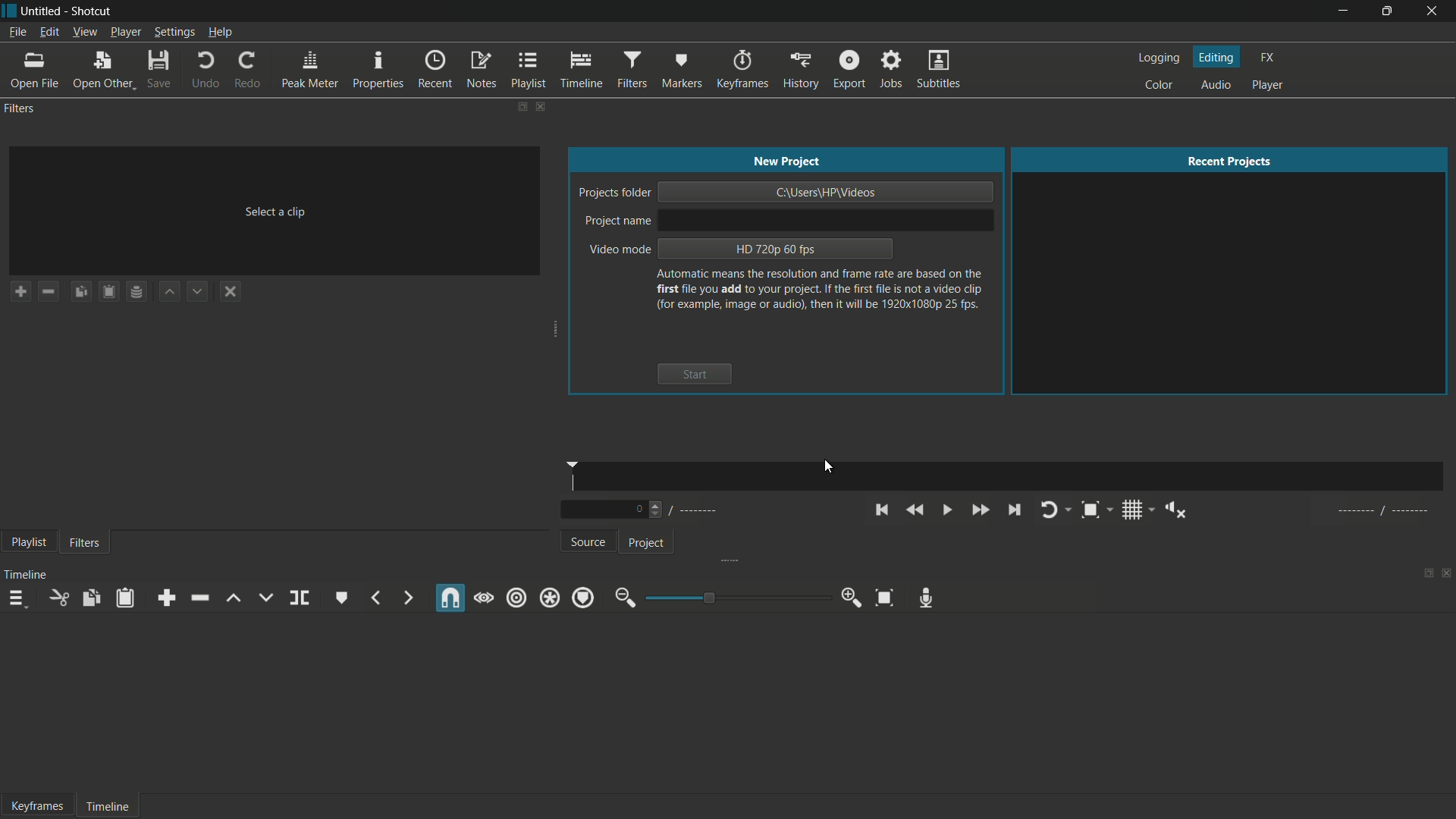 Image resolution: width=1456 pixels, height=819 pixels. Describe the element at coordinates (49, 291) in the screenshot. I see `remove a filter` at that location.